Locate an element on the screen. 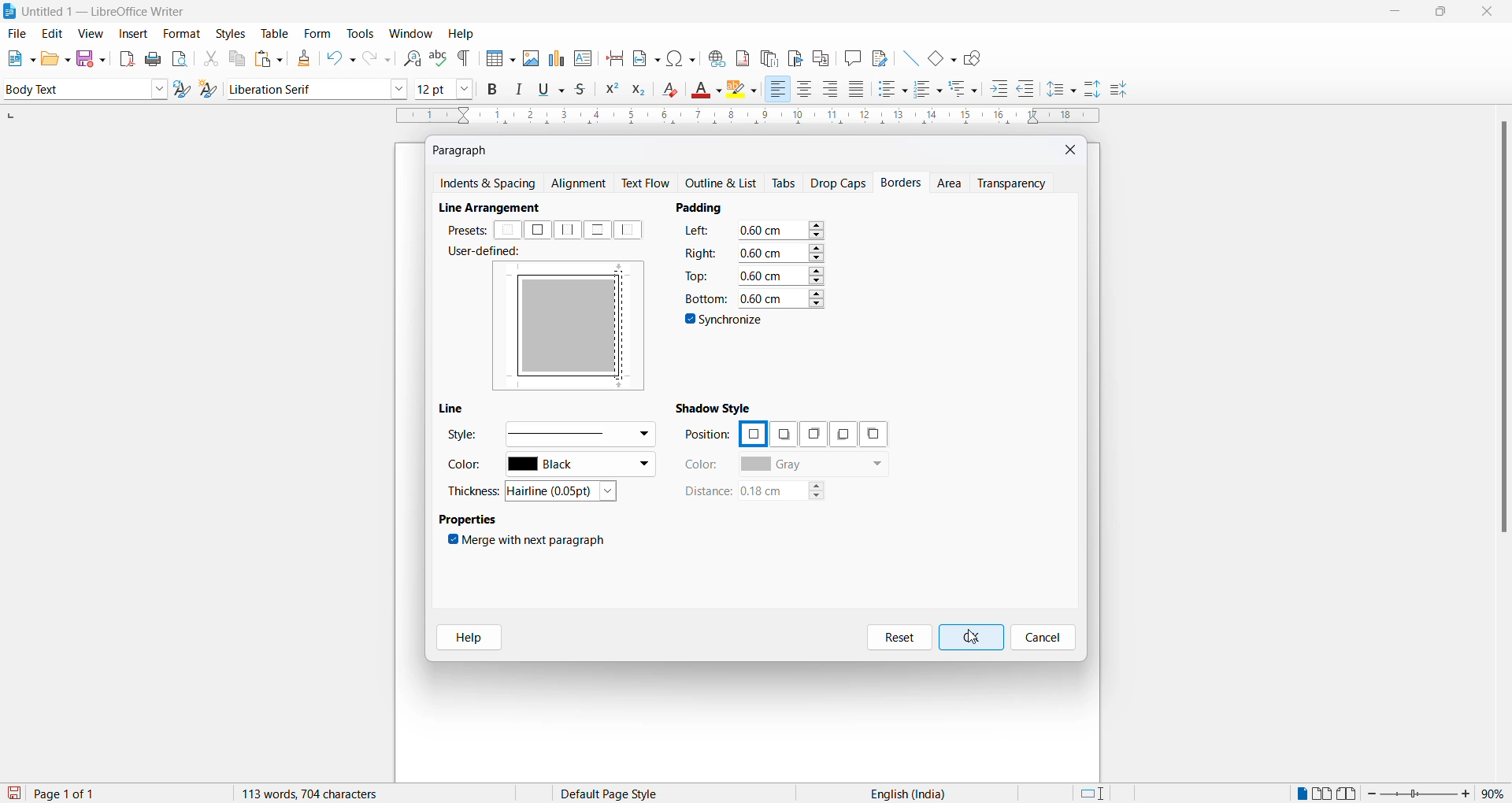 Image resolution: width=1512 pixels, height=803 pixels. border is located at coordinates (574, 377).